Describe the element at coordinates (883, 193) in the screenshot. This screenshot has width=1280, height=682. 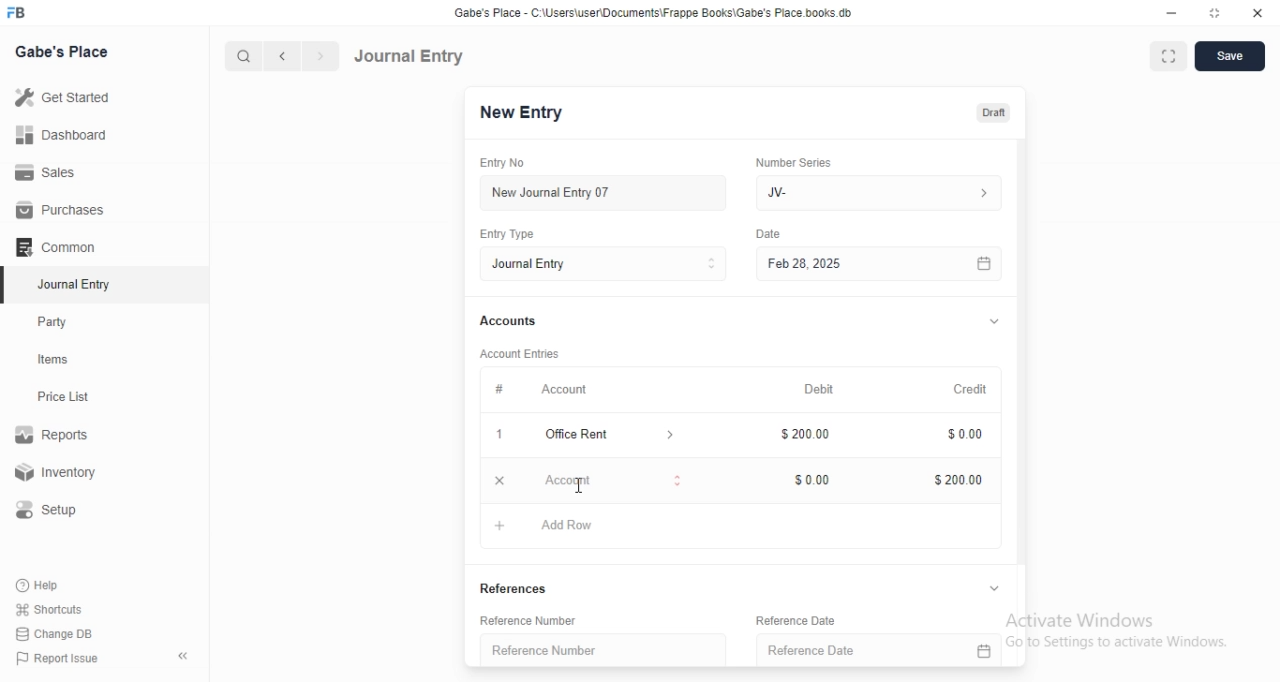
I see `JV-` at that location.